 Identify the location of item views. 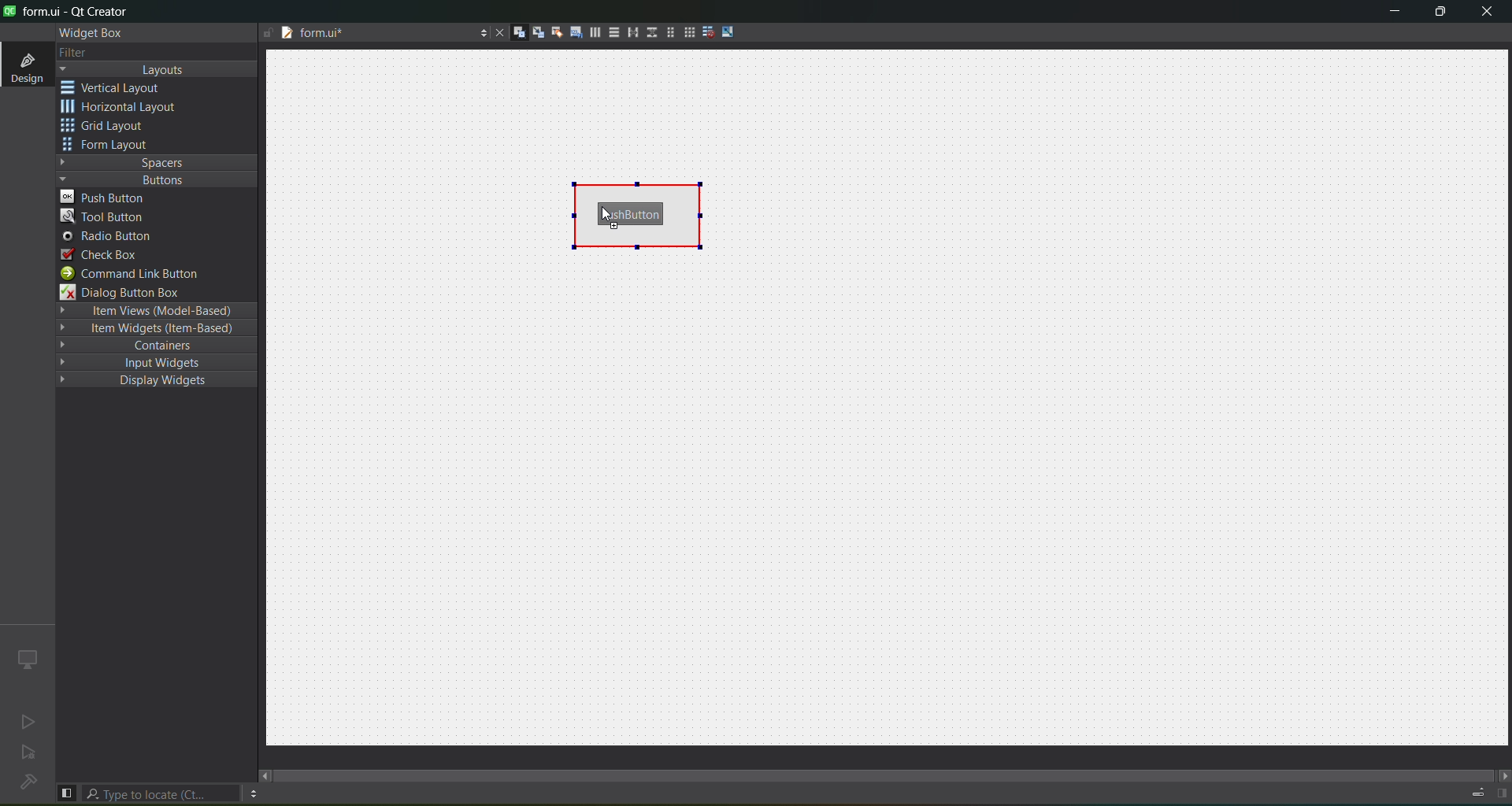
(154, 310).